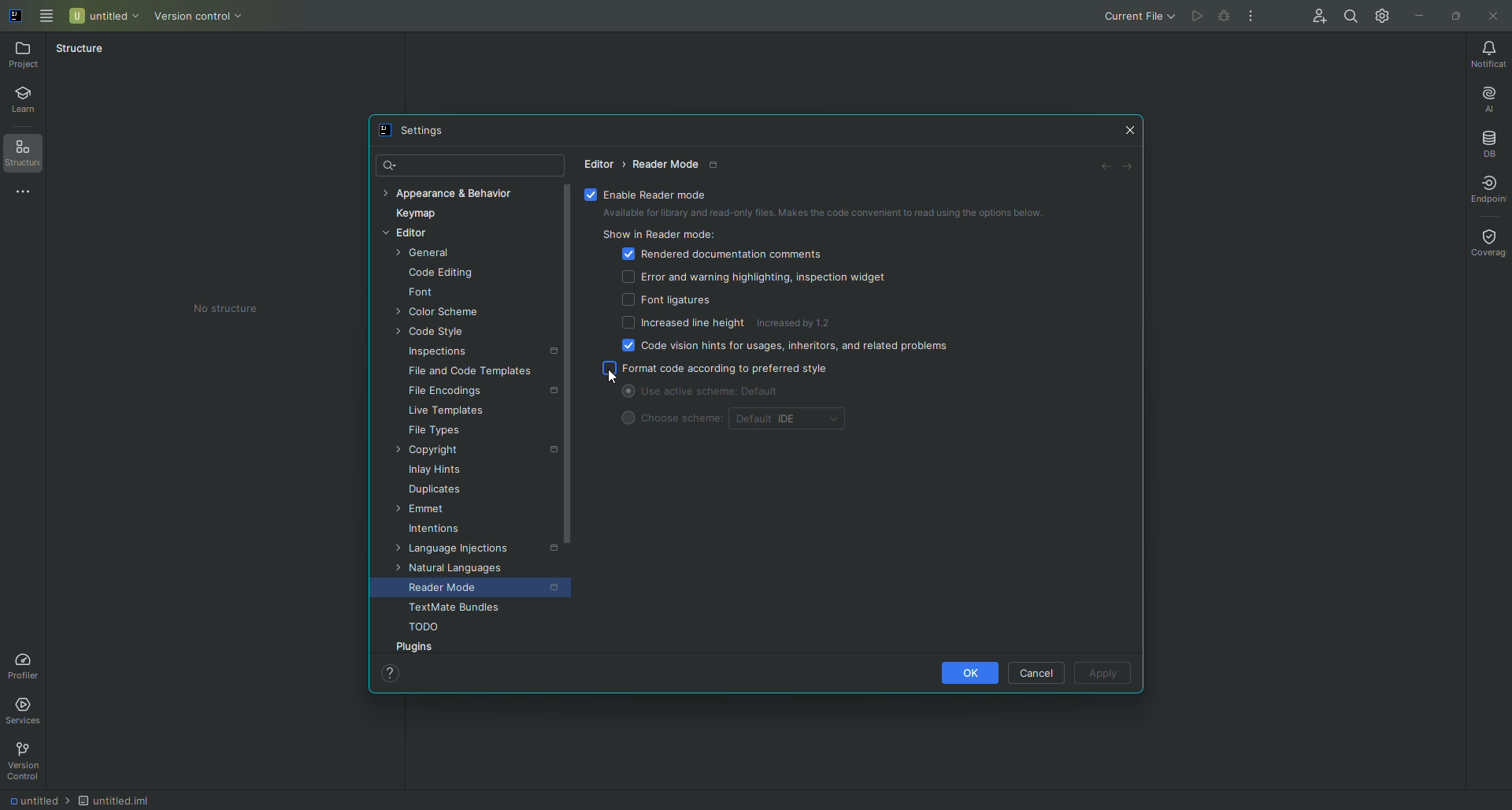 Image resolution: width=1512 pixels, height=810 pixels. I want to click on Format code, so click(720, 370).